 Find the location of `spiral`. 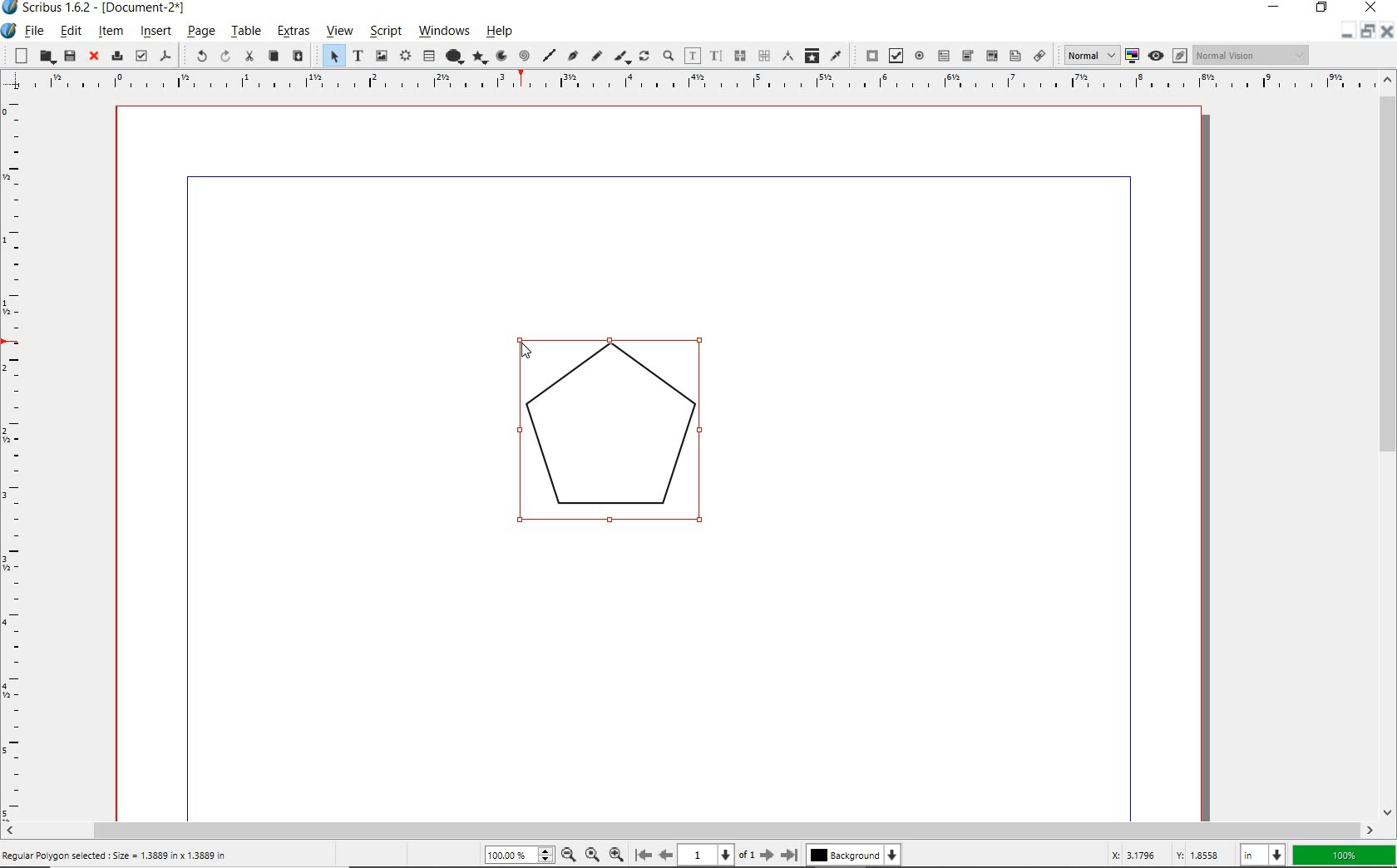

spiral is located at coordinates (525, 53).